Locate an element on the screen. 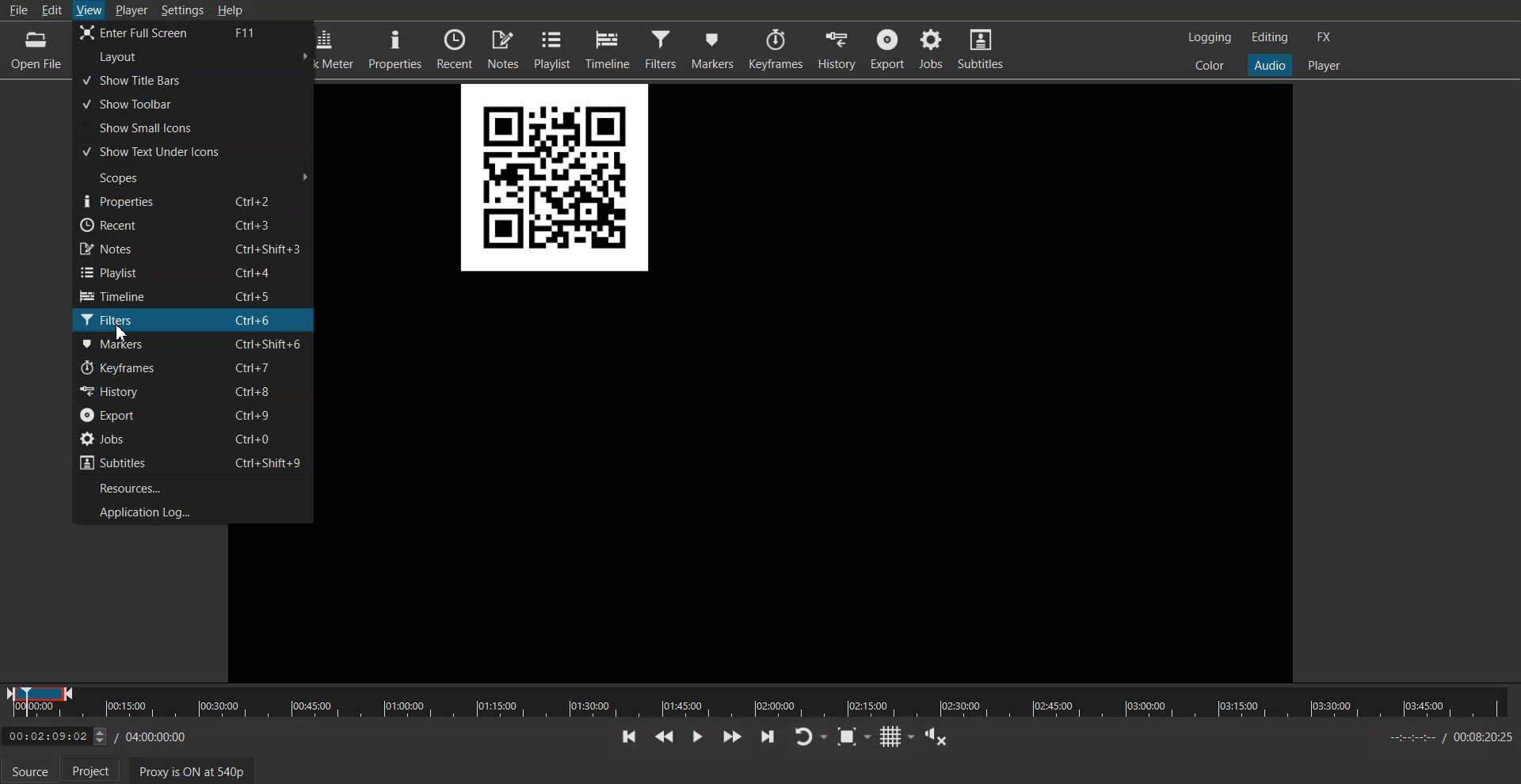 This screenshot has height=784, width=1521. Time Sheet is located at coordinates (1450, 737).